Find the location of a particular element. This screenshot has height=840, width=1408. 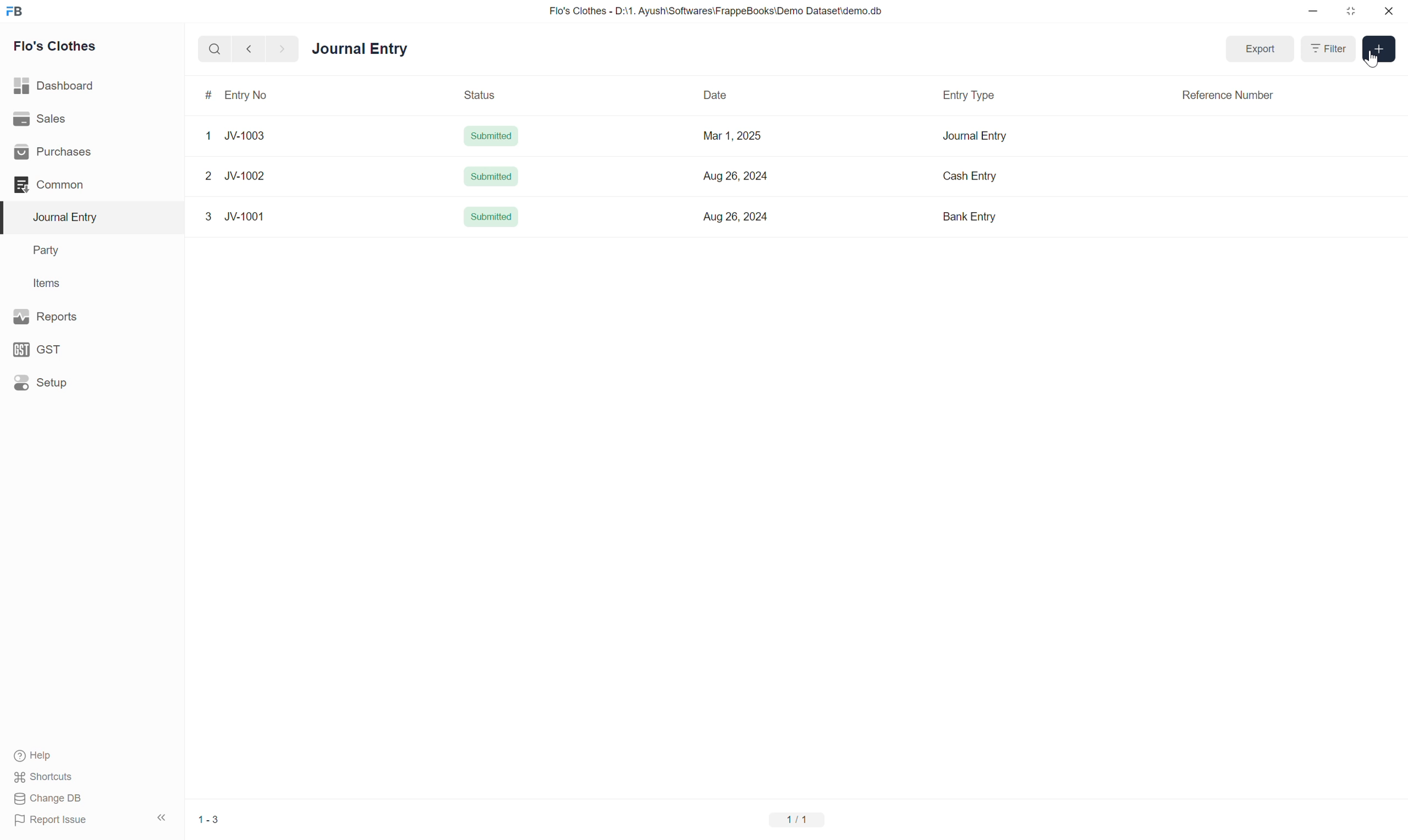

JV-1002 is located at coordinates (247, 177).